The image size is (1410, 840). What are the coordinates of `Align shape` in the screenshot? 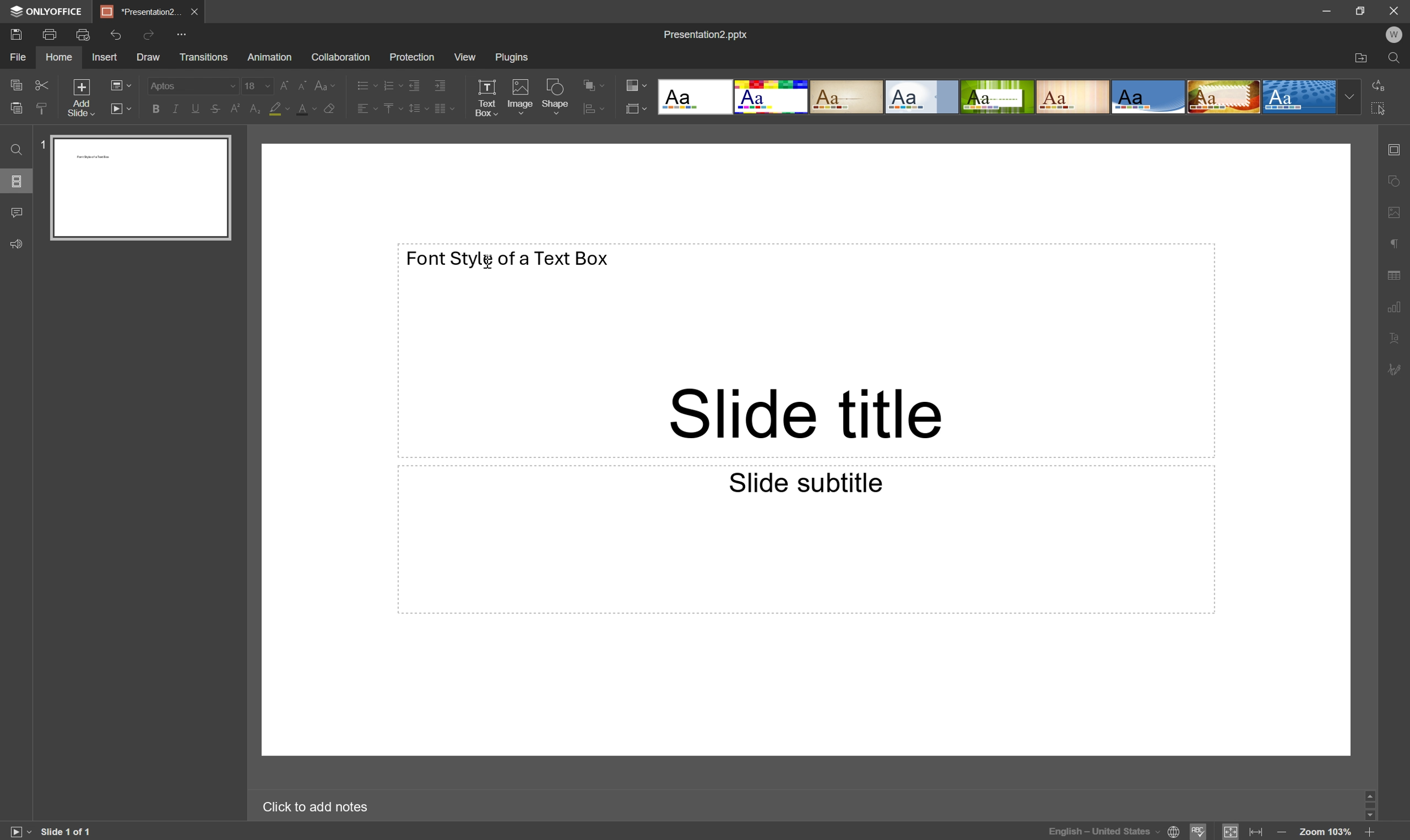 It's located at (599, 108).